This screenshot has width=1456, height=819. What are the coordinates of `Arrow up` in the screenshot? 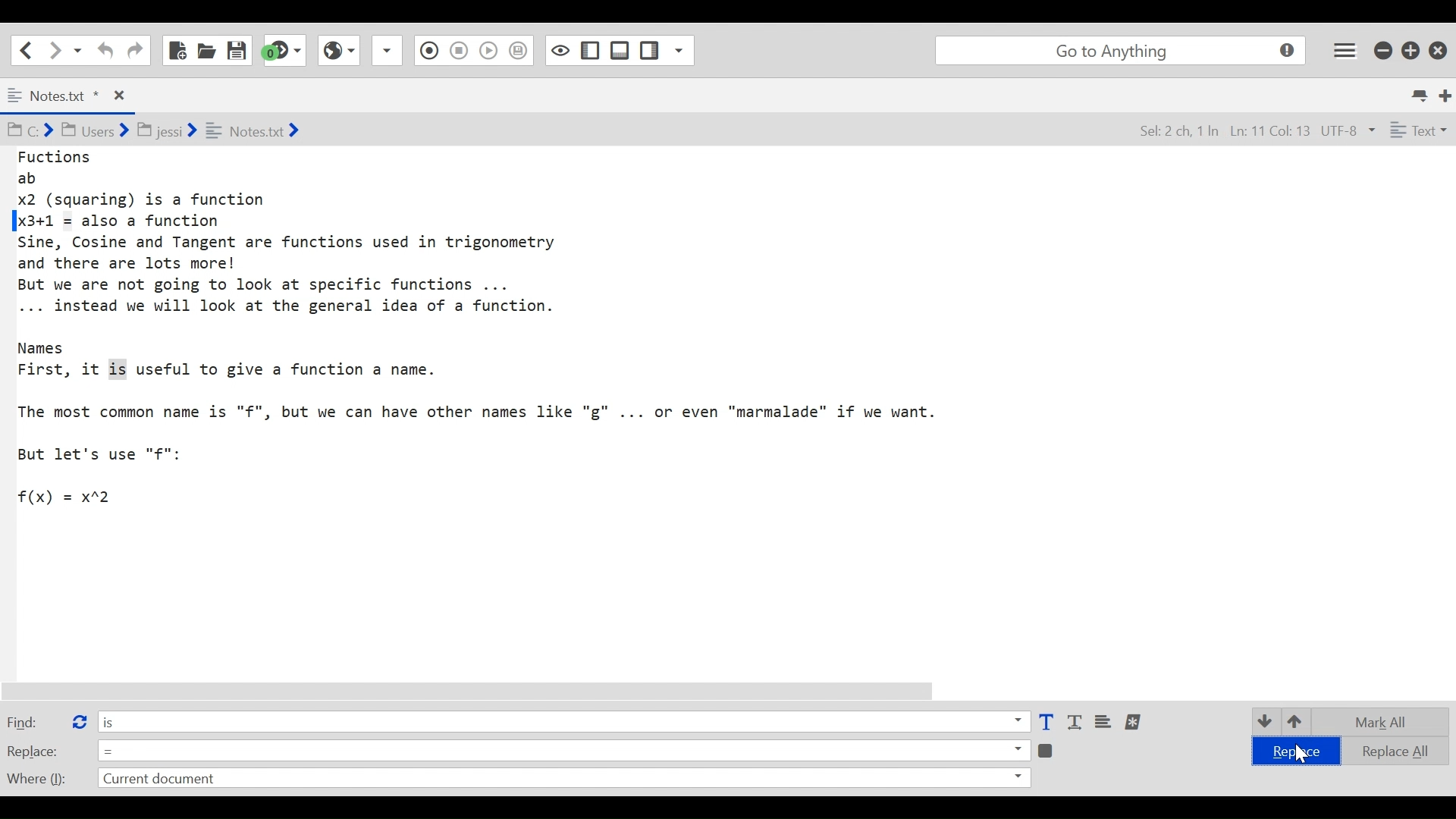 It's located at (1296, 723).